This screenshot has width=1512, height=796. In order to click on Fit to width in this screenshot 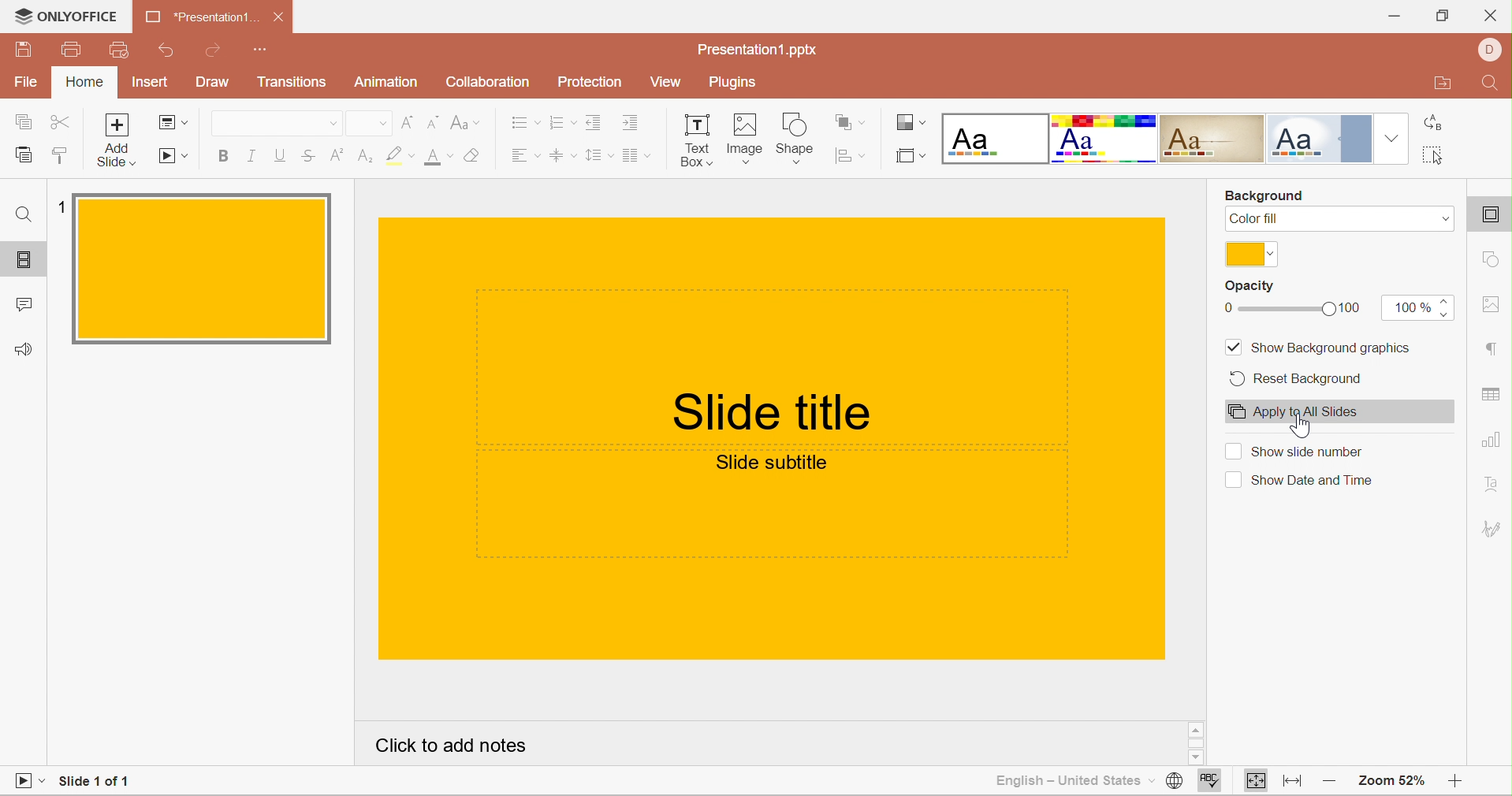, I will do `click(1295, 783)`.